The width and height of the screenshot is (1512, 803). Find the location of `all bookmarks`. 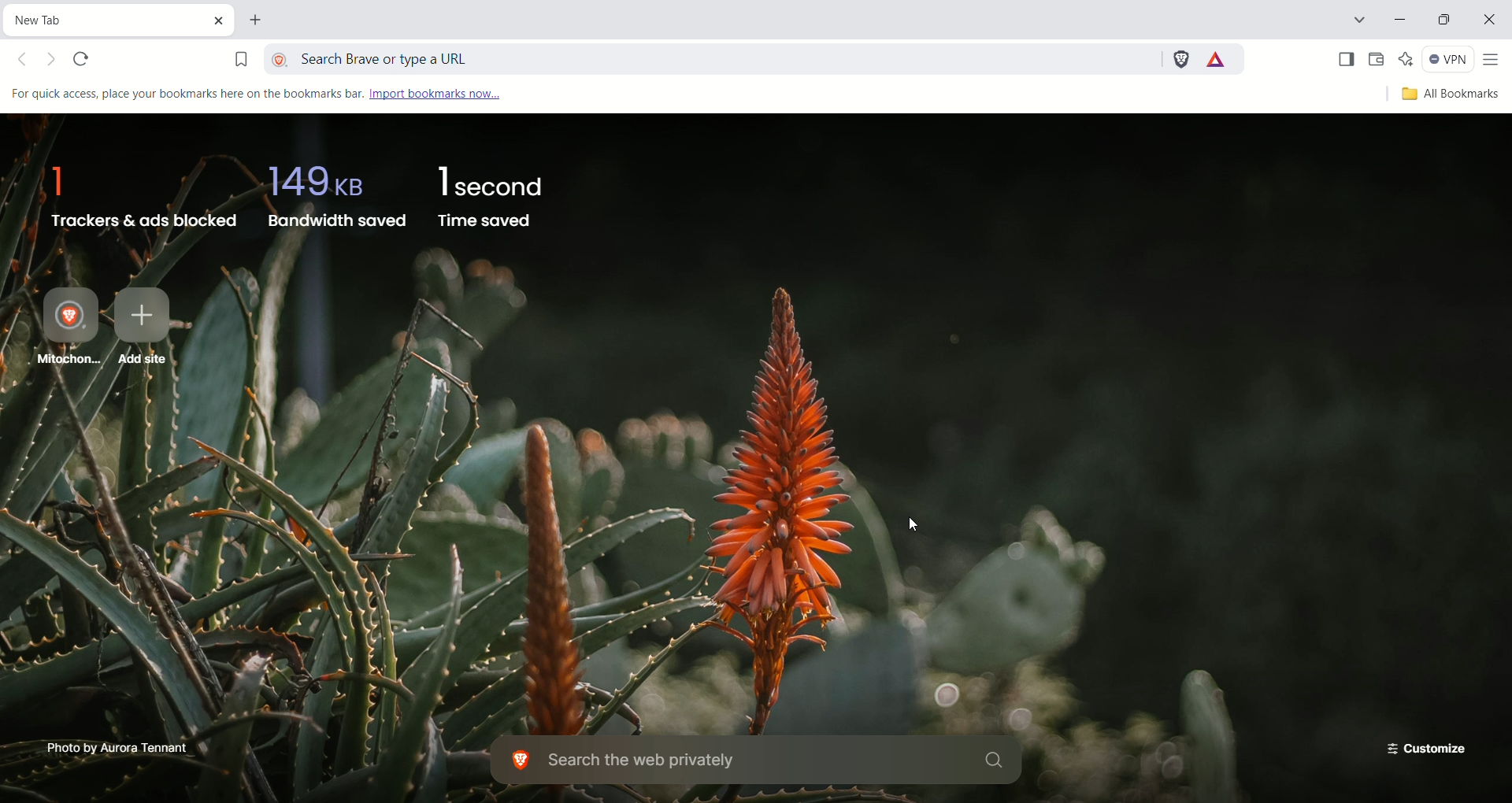

all bookmarks is located at coordinates (1447, 95).